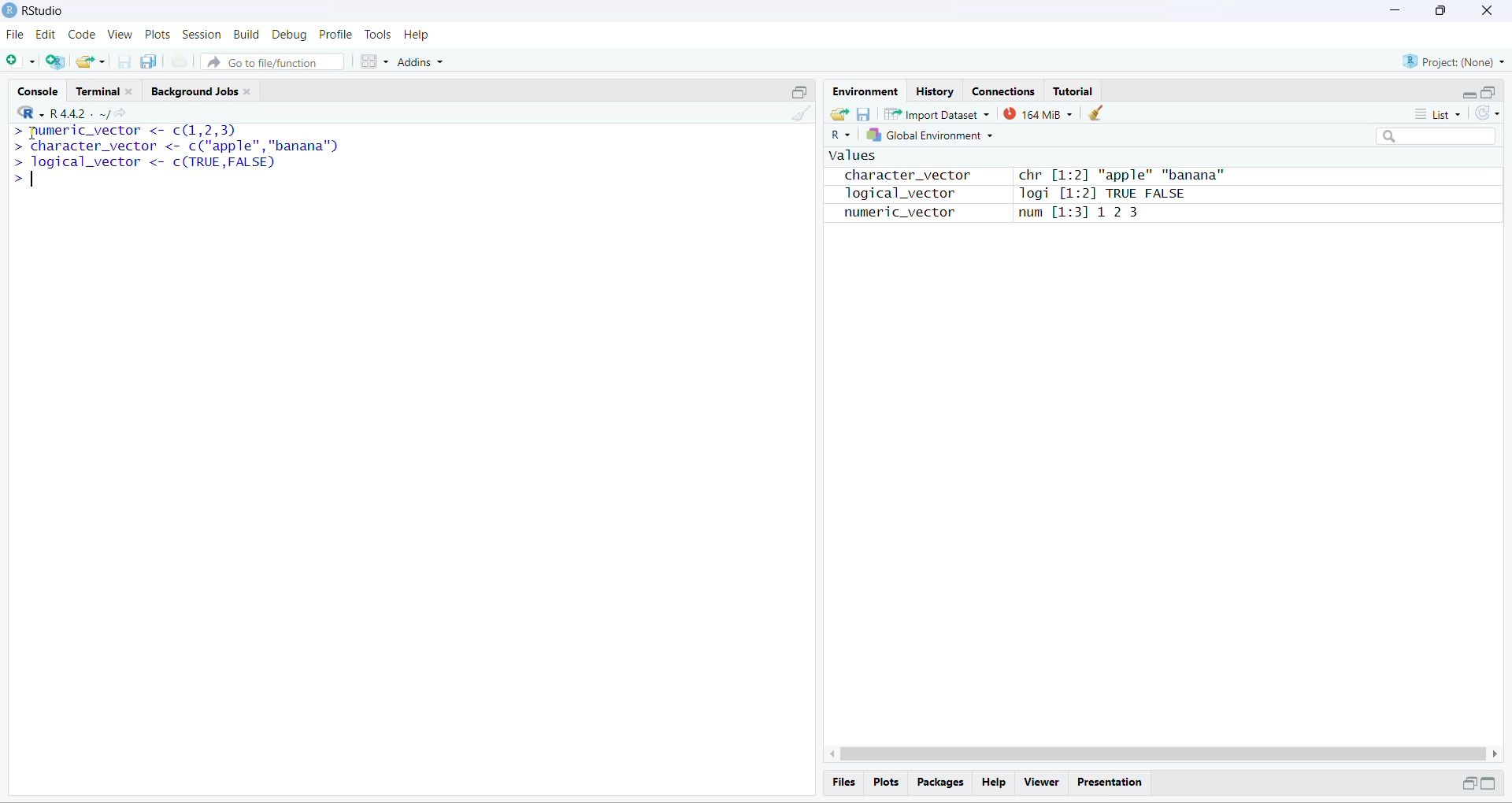 This screenshot has width=1512, height=803. What do you see at coordinates (1002, 90) in the screenshot?
I see `Connections` at bounding box center [1002, 90].